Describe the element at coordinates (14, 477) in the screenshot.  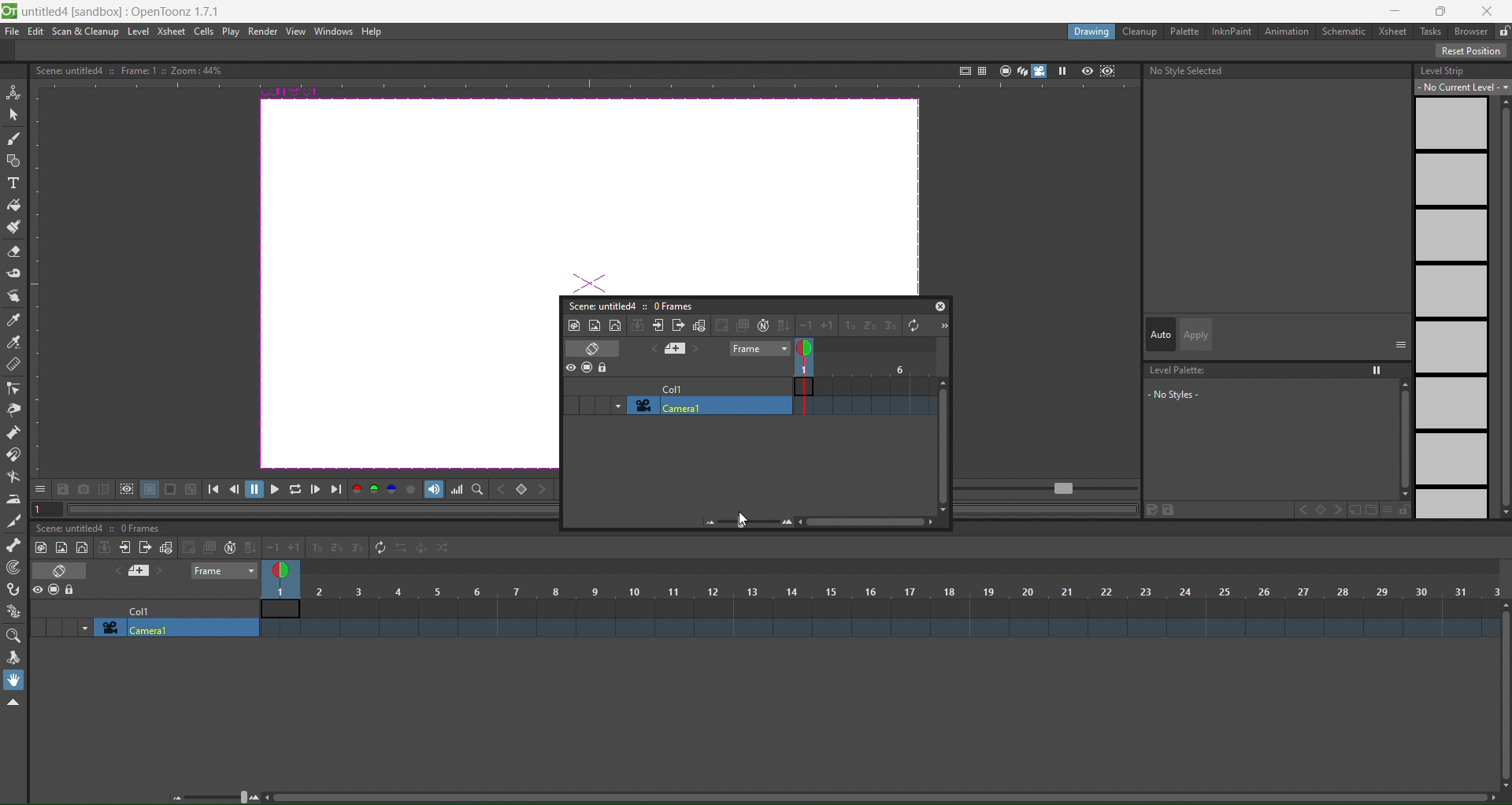
I see `bender tool` at that location.